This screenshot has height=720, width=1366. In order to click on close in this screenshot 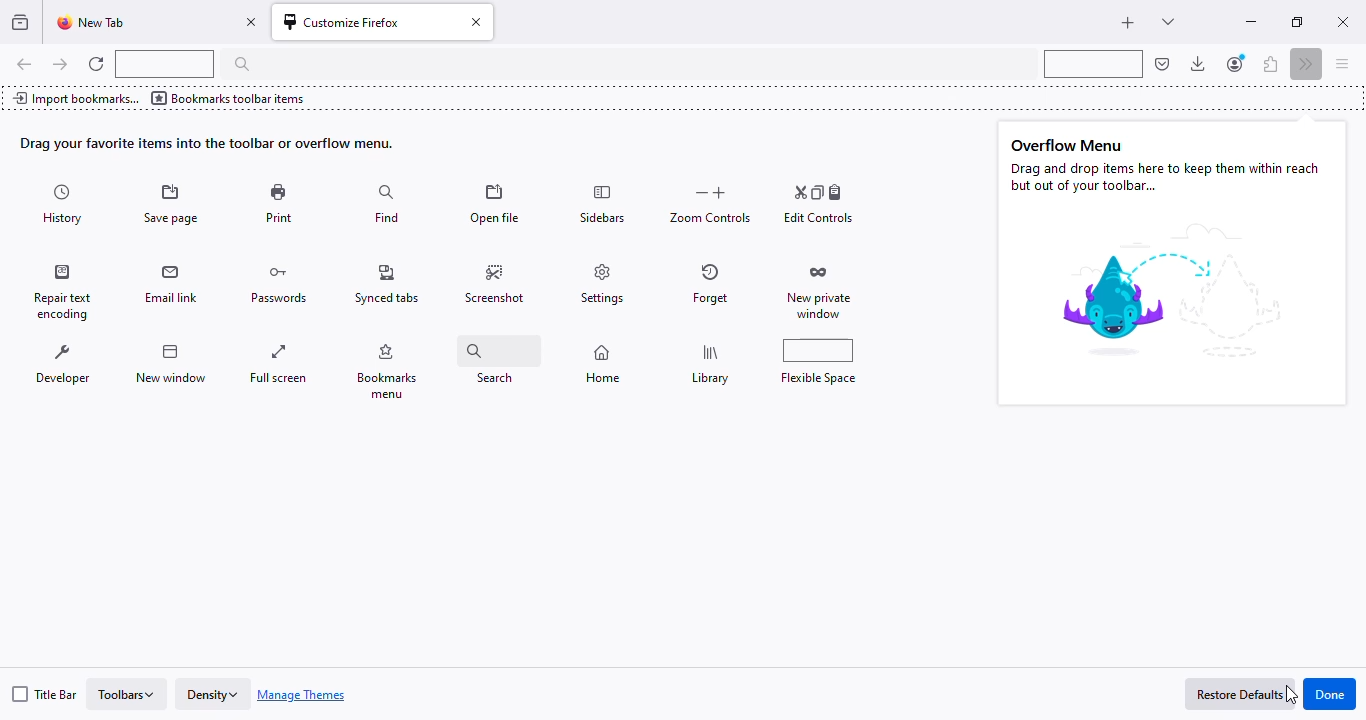, I will do `click(1344, 22)`.